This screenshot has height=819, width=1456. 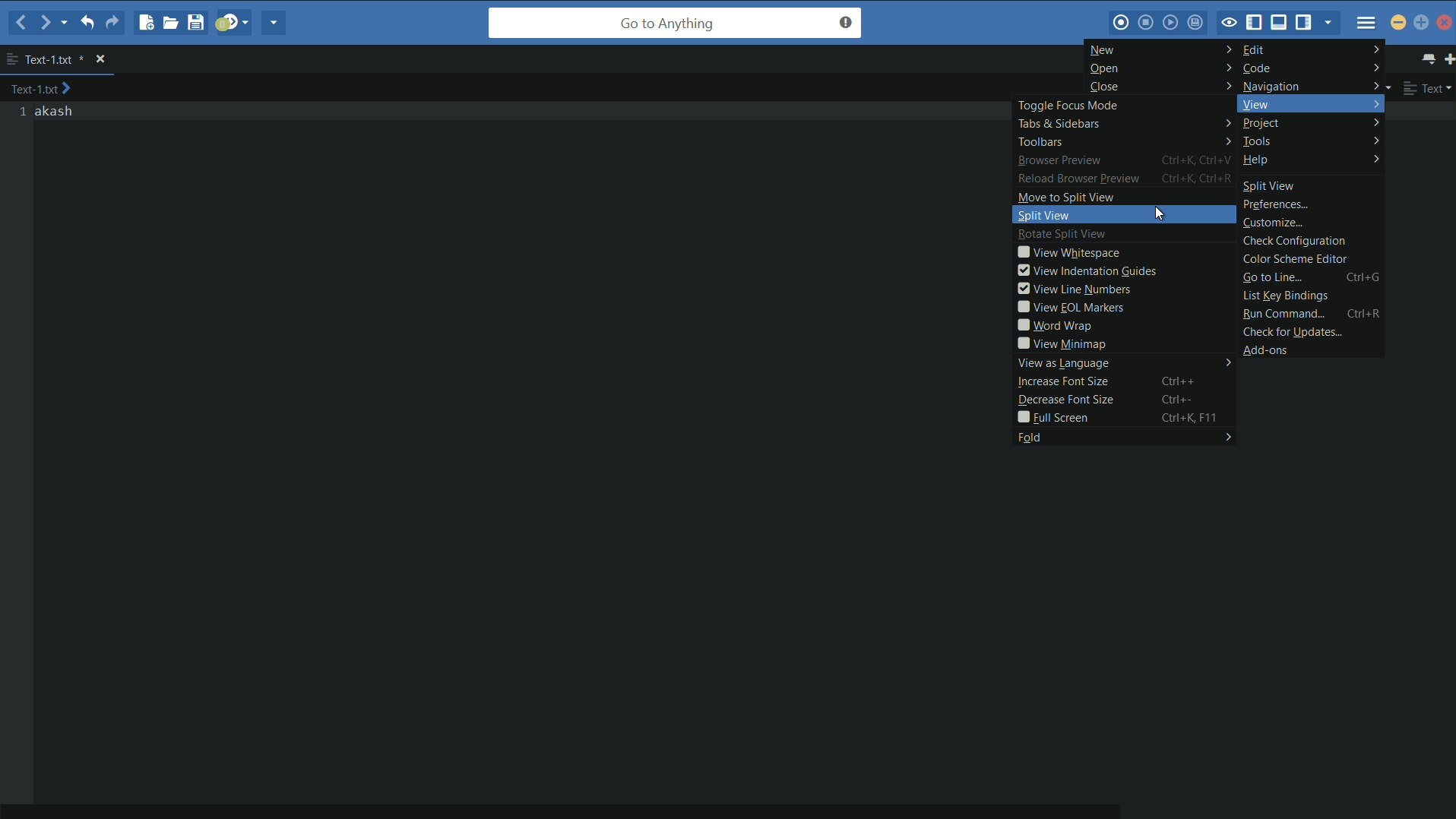 What do you see at coordinates (112, 23) in the screenshot?
I see `redo` at bounding box center [112, 23].